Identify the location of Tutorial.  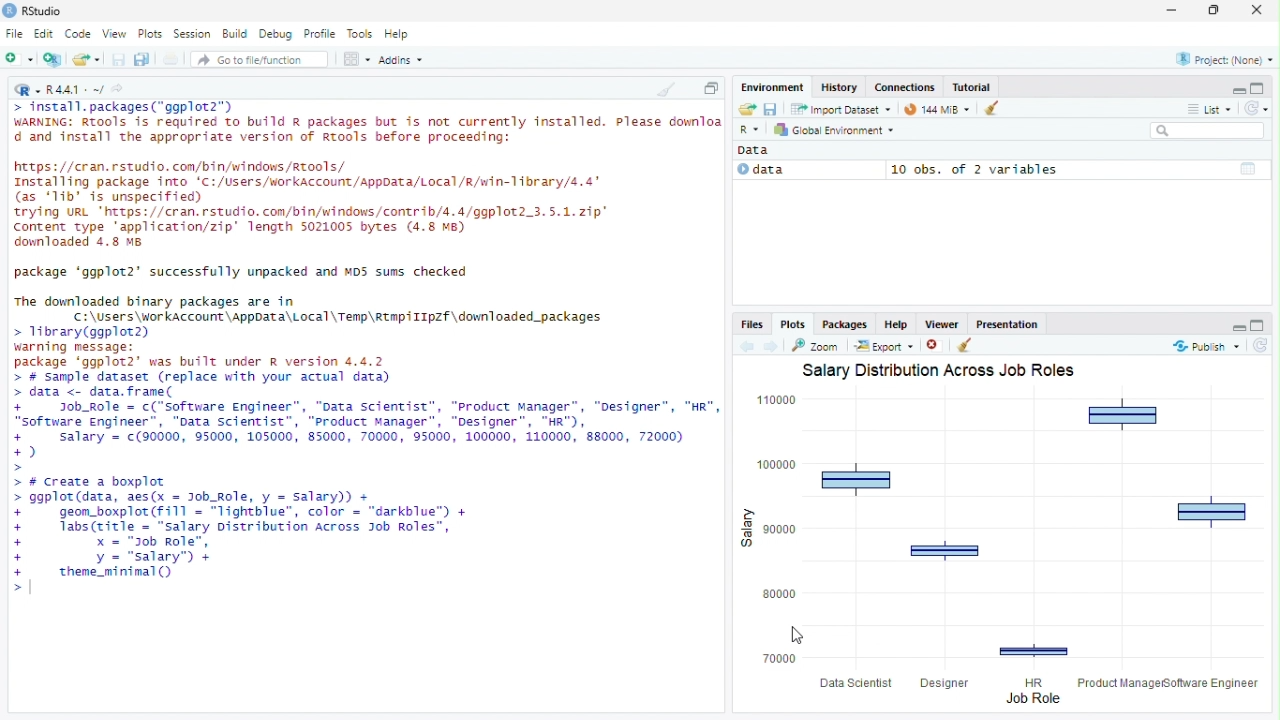
(971, 87).